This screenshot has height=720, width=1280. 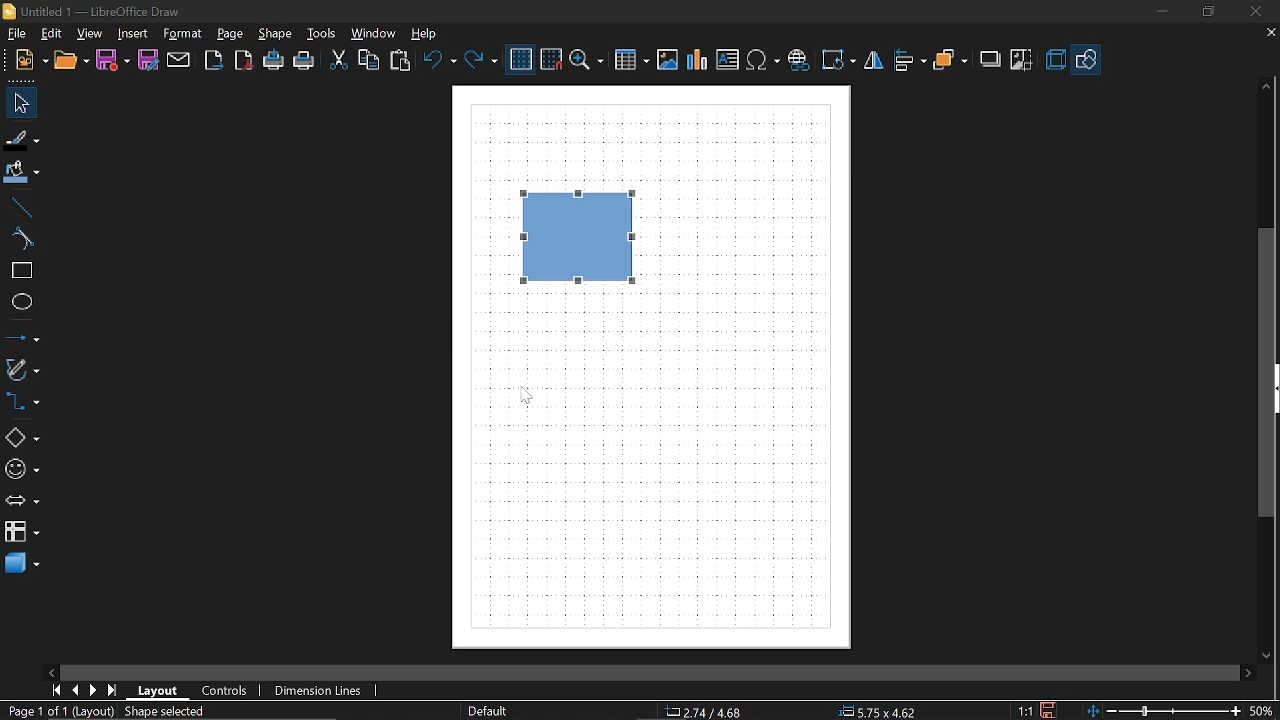 What do you see at coordinates (22, 369) in the screenshot?
I see `Curves and polygon` at bounding box center [22, 369].